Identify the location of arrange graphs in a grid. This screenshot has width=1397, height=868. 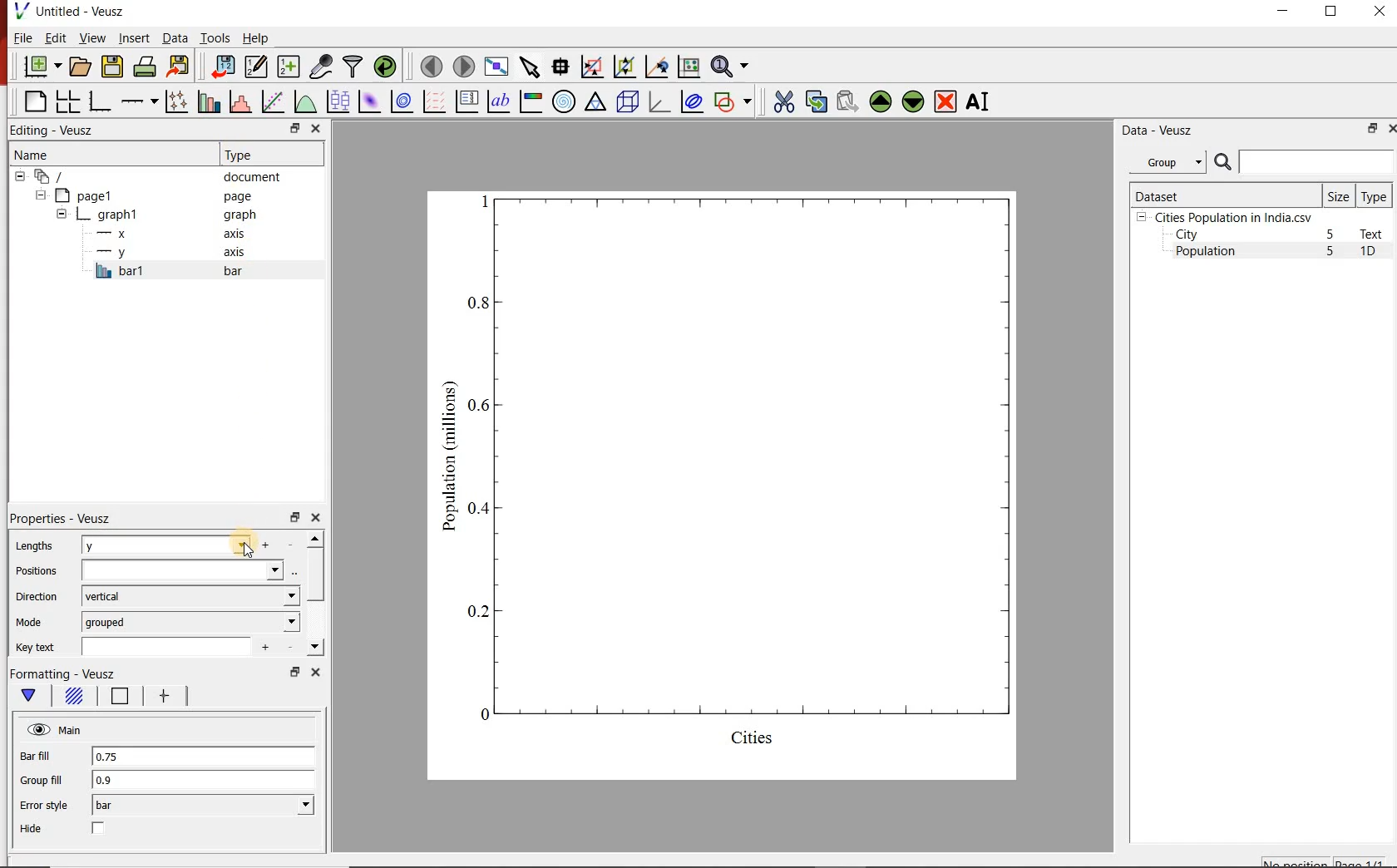
(67, 101).